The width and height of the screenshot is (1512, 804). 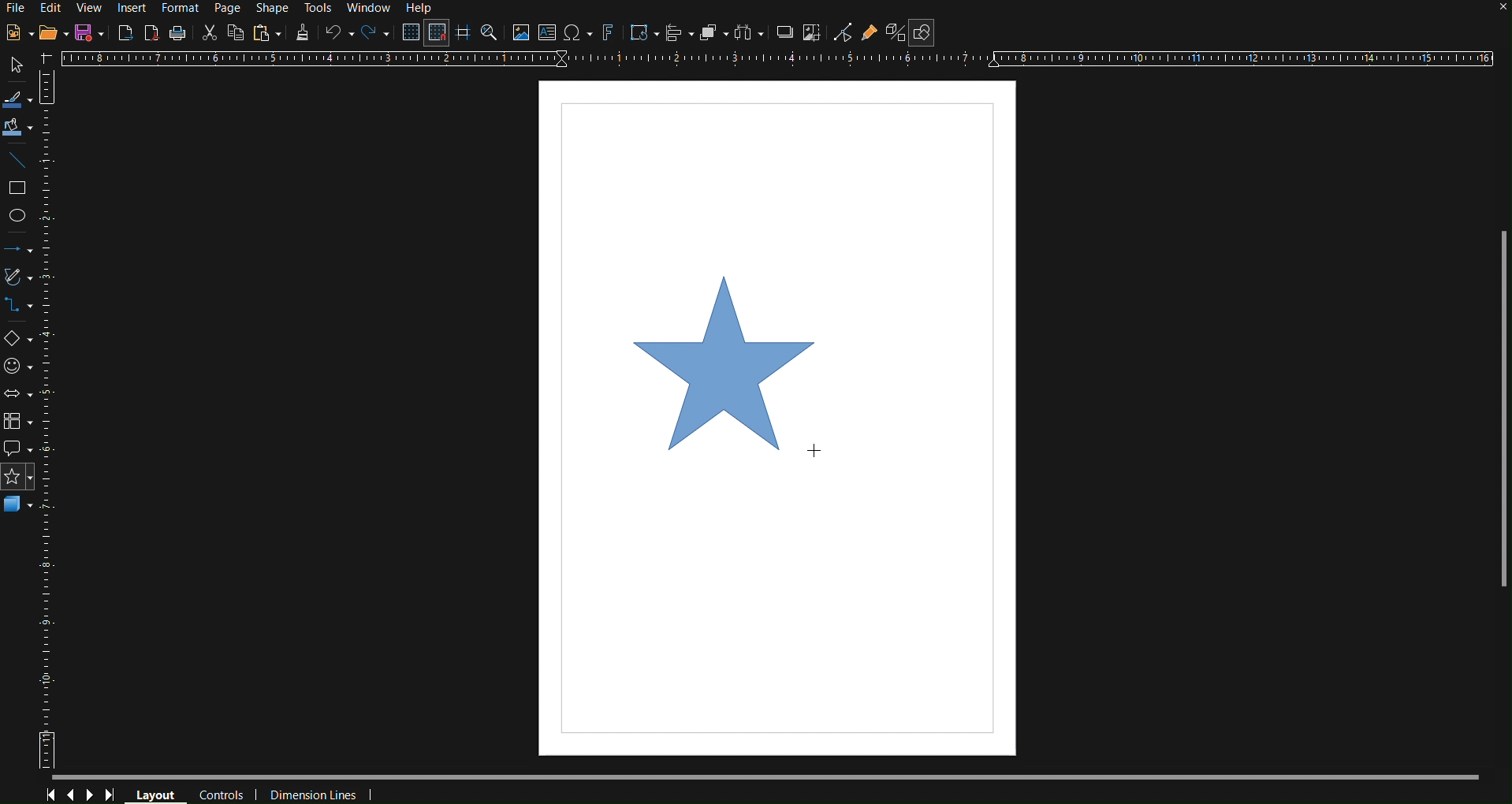 What do you see at coordinates (727, 370) in the screenshot?
I see `Star (dragged)` at bounding box center [727, 370].